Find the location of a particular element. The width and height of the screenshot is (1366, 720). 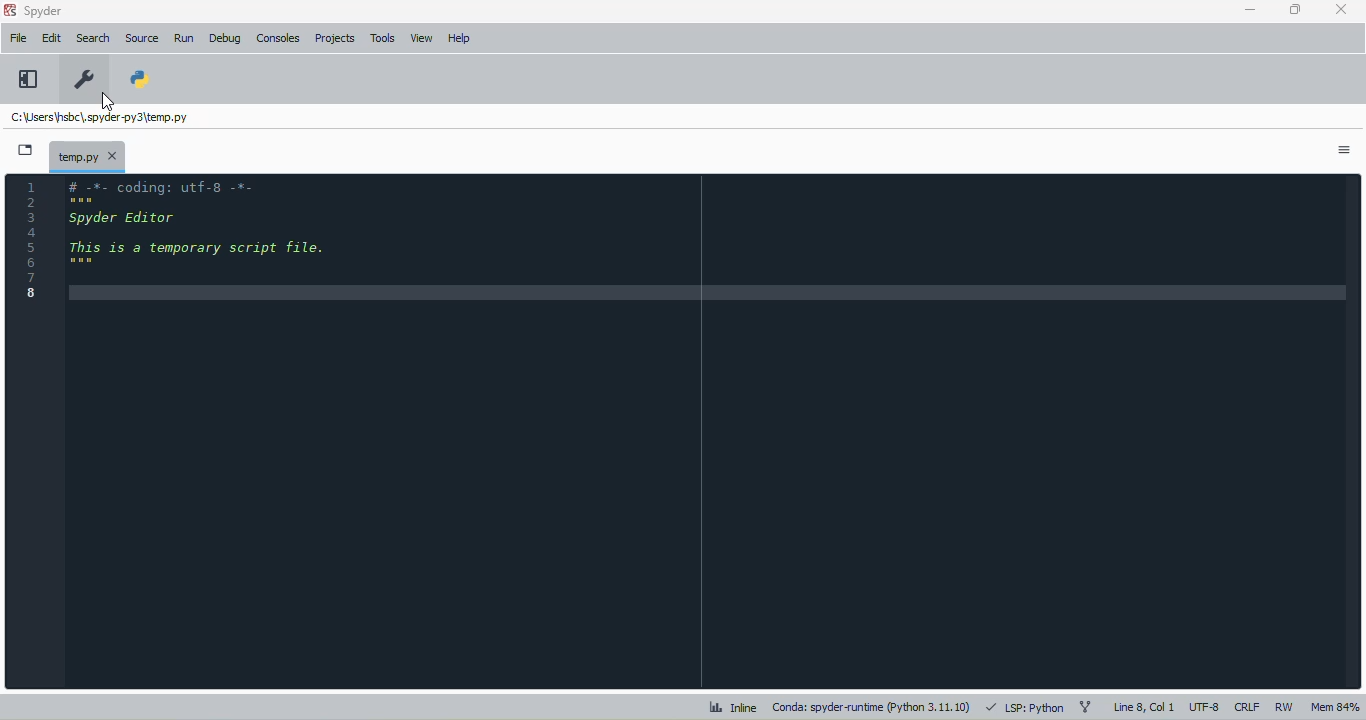

view is located at coordinates (422, 38).